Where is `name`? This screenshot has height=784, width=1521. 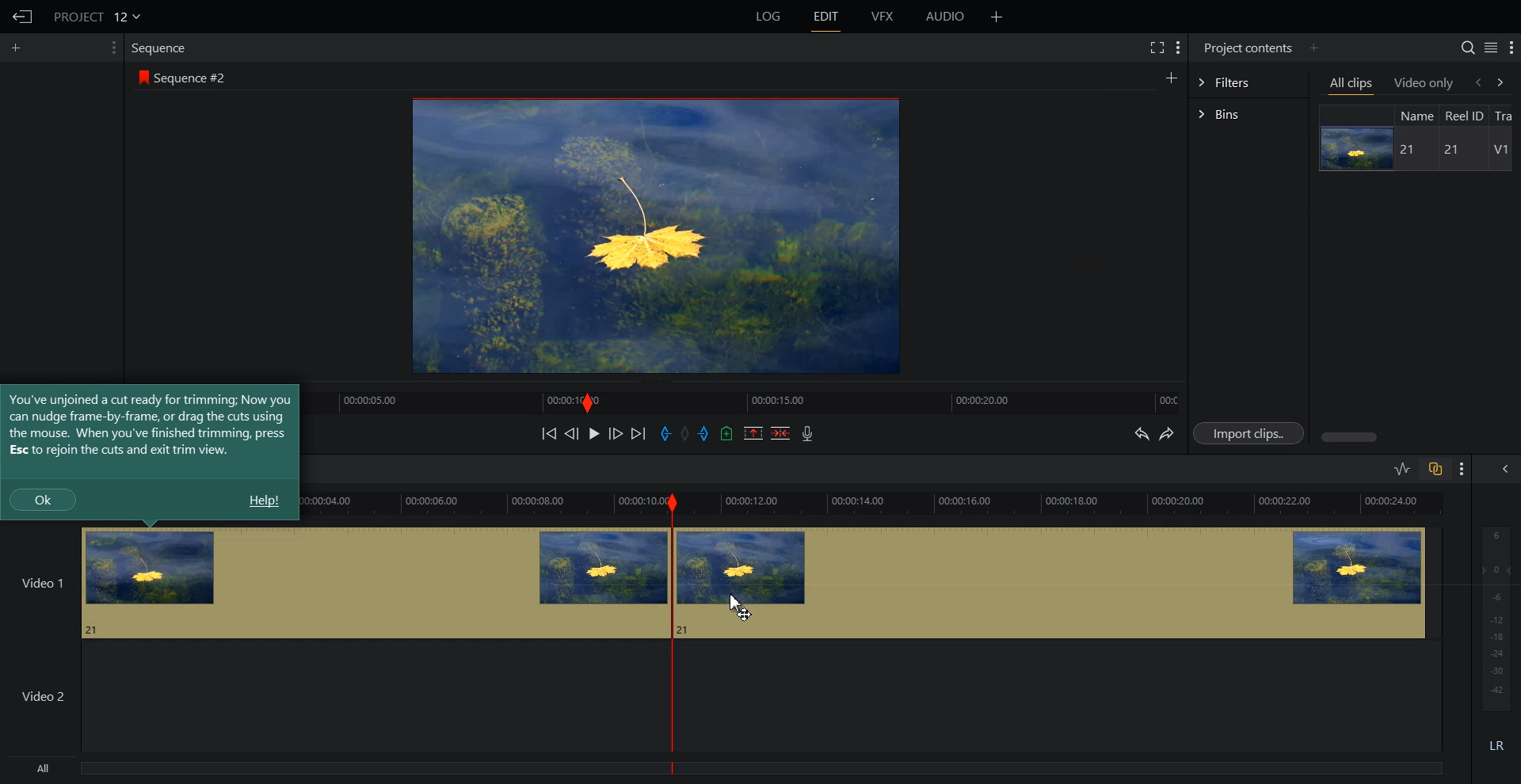 name is located at coordinates (1416, 115).